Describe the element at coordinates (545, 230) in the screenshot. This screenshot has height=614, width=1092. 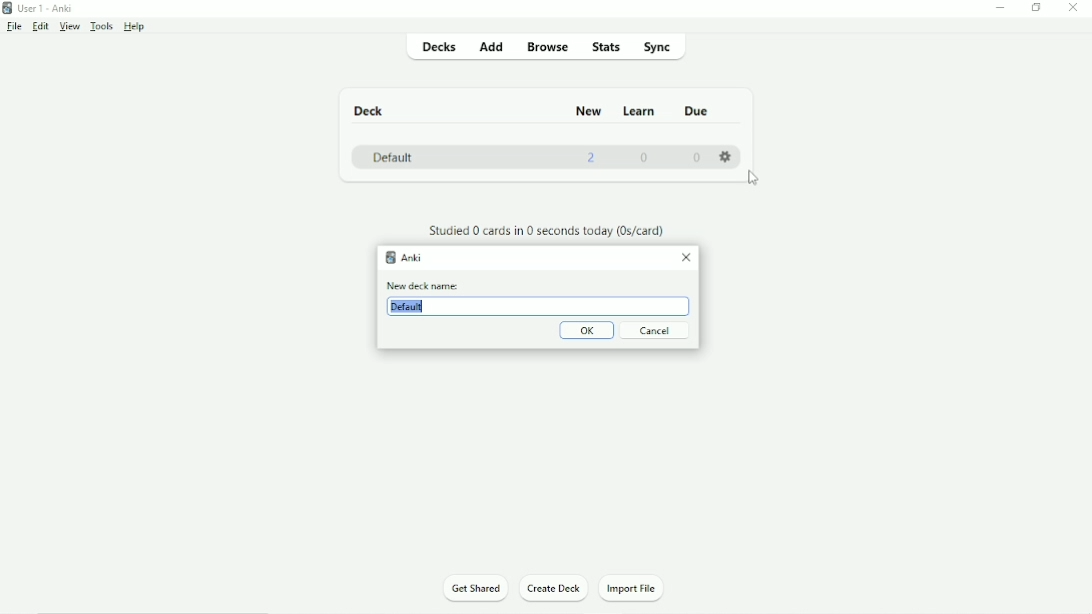
I see `Studied 0 cards in 0 seconds today.` at that location.